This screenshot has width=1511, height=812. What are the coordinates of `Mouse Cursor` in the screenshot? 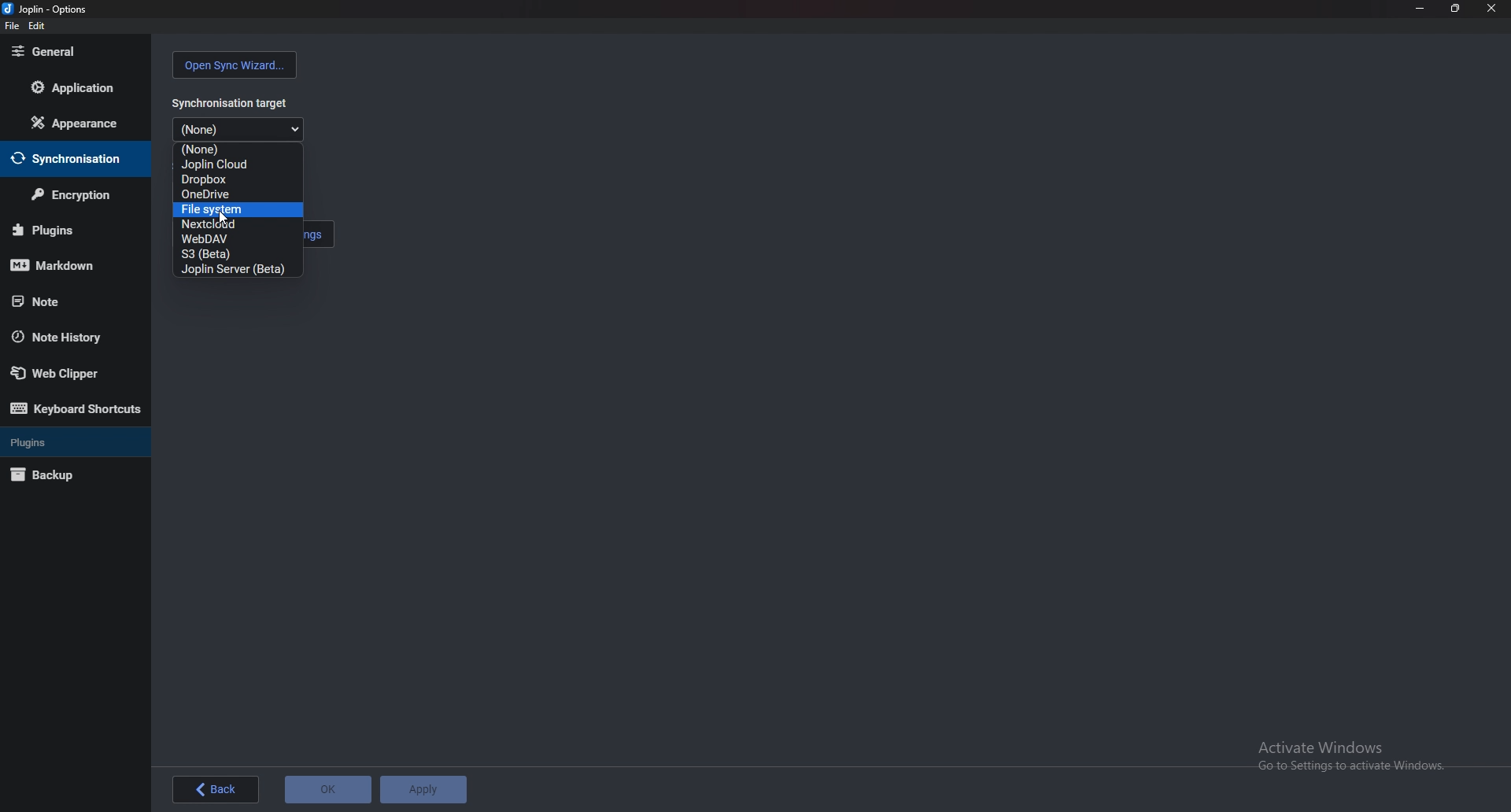 It's located at (222, 217).